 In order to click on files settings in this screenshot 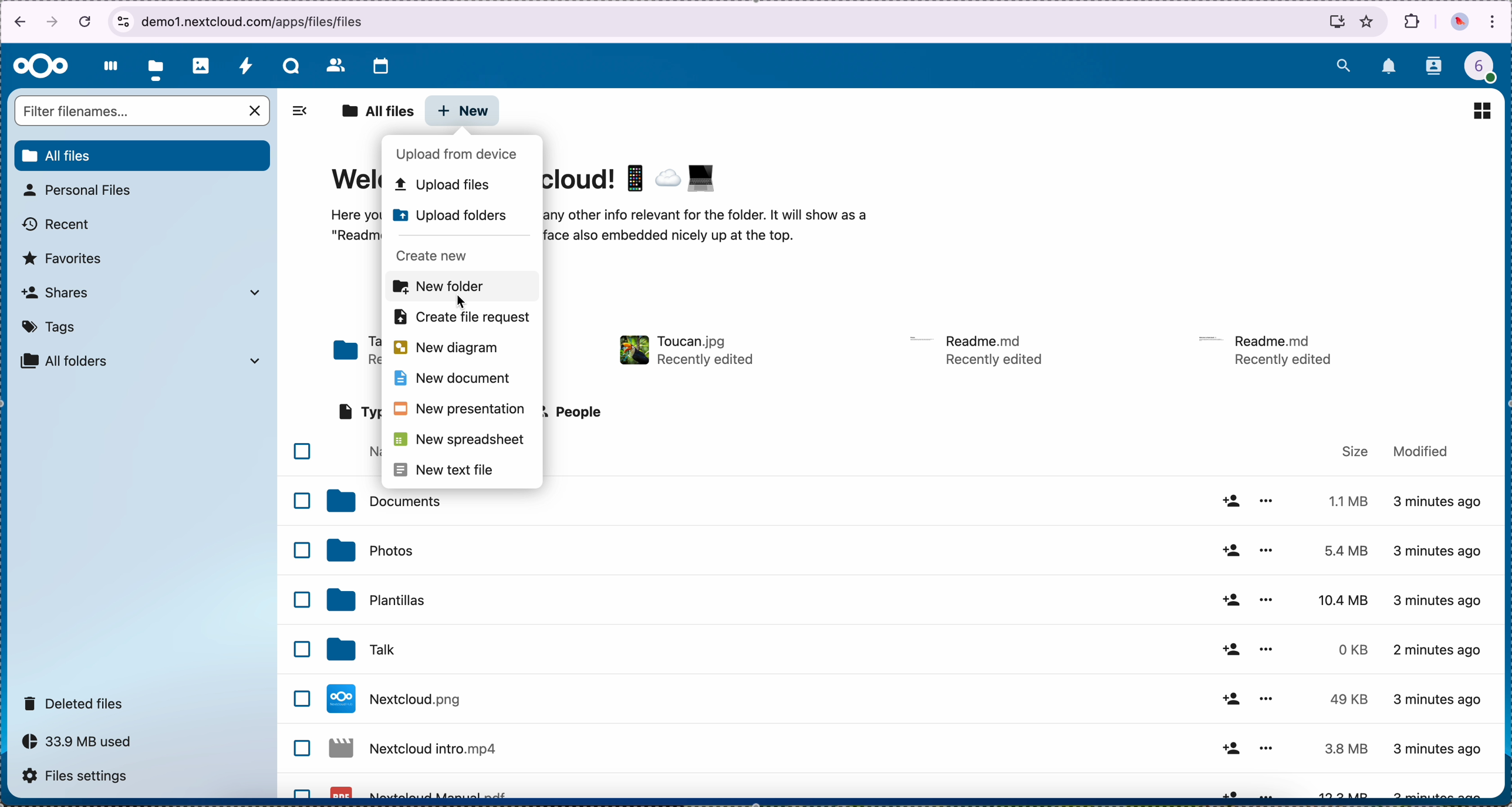, I will do `click(81, 778)`.